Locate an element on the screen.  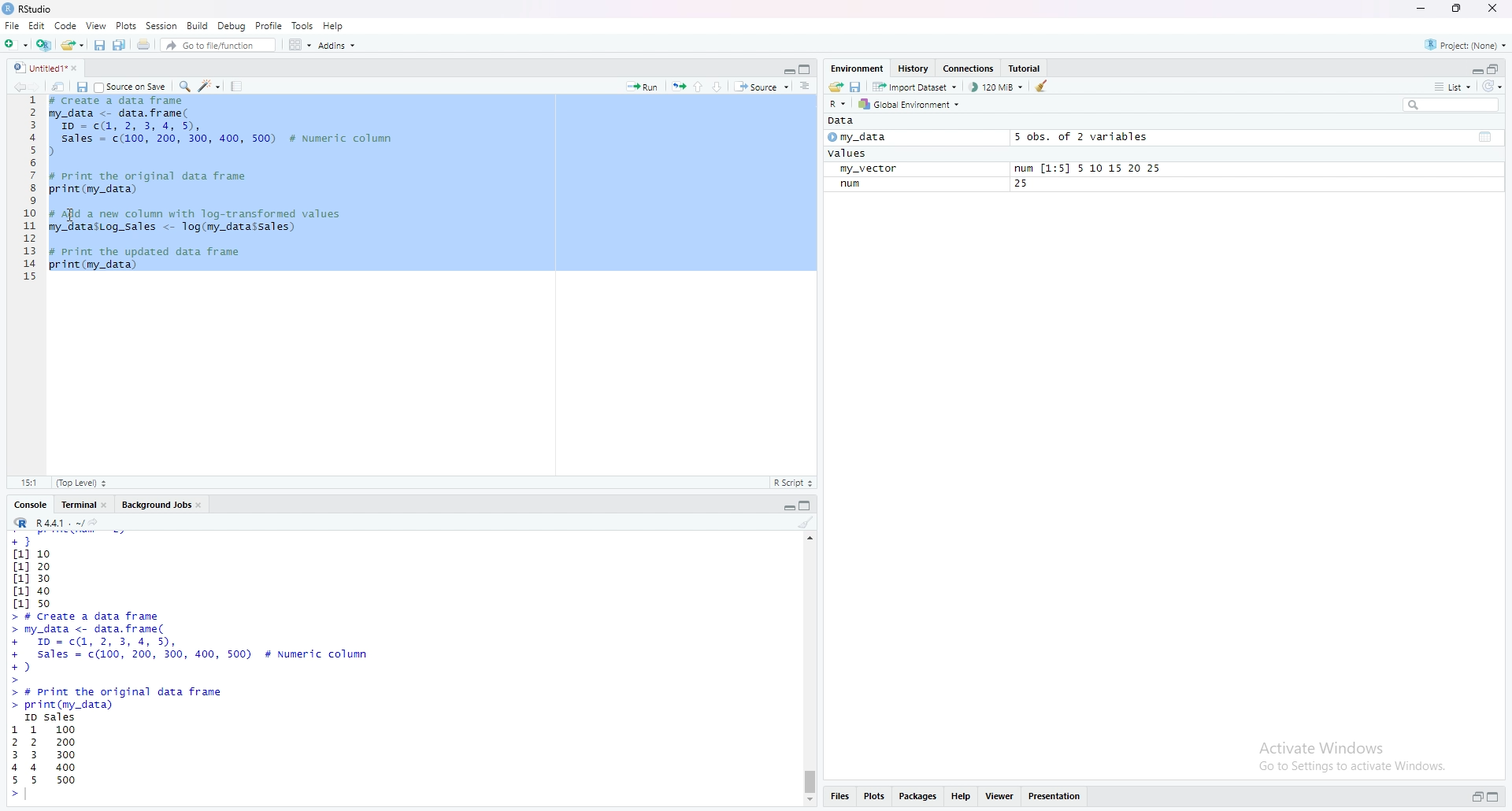
minimize is located at coordinates (1424, 10).